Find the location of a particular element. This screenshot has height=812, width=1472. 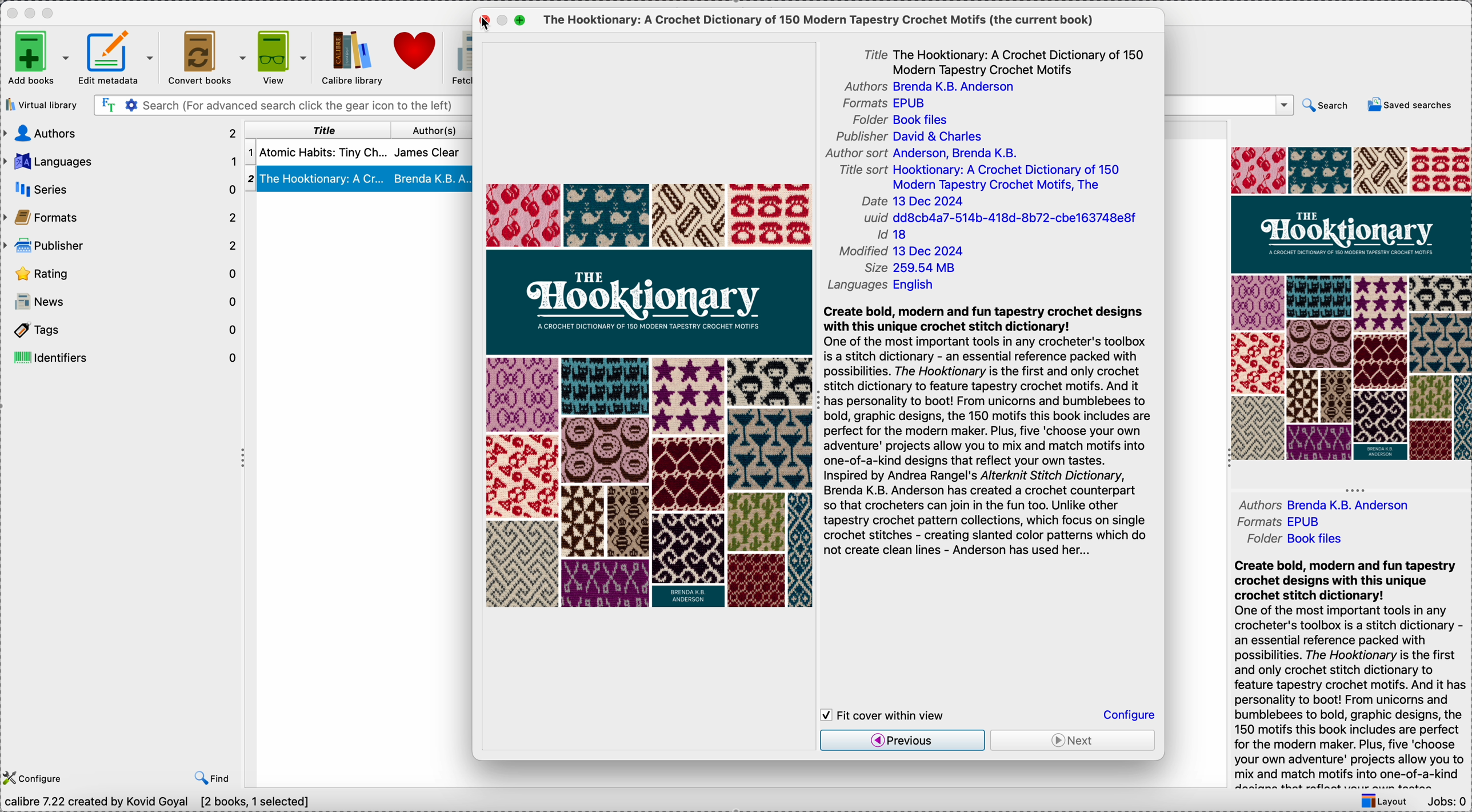

title sort Hooktionary: A Crochet Dictionary of 150 modern tapestry Crochet Motifs, The is located at coordinates (981, 177).